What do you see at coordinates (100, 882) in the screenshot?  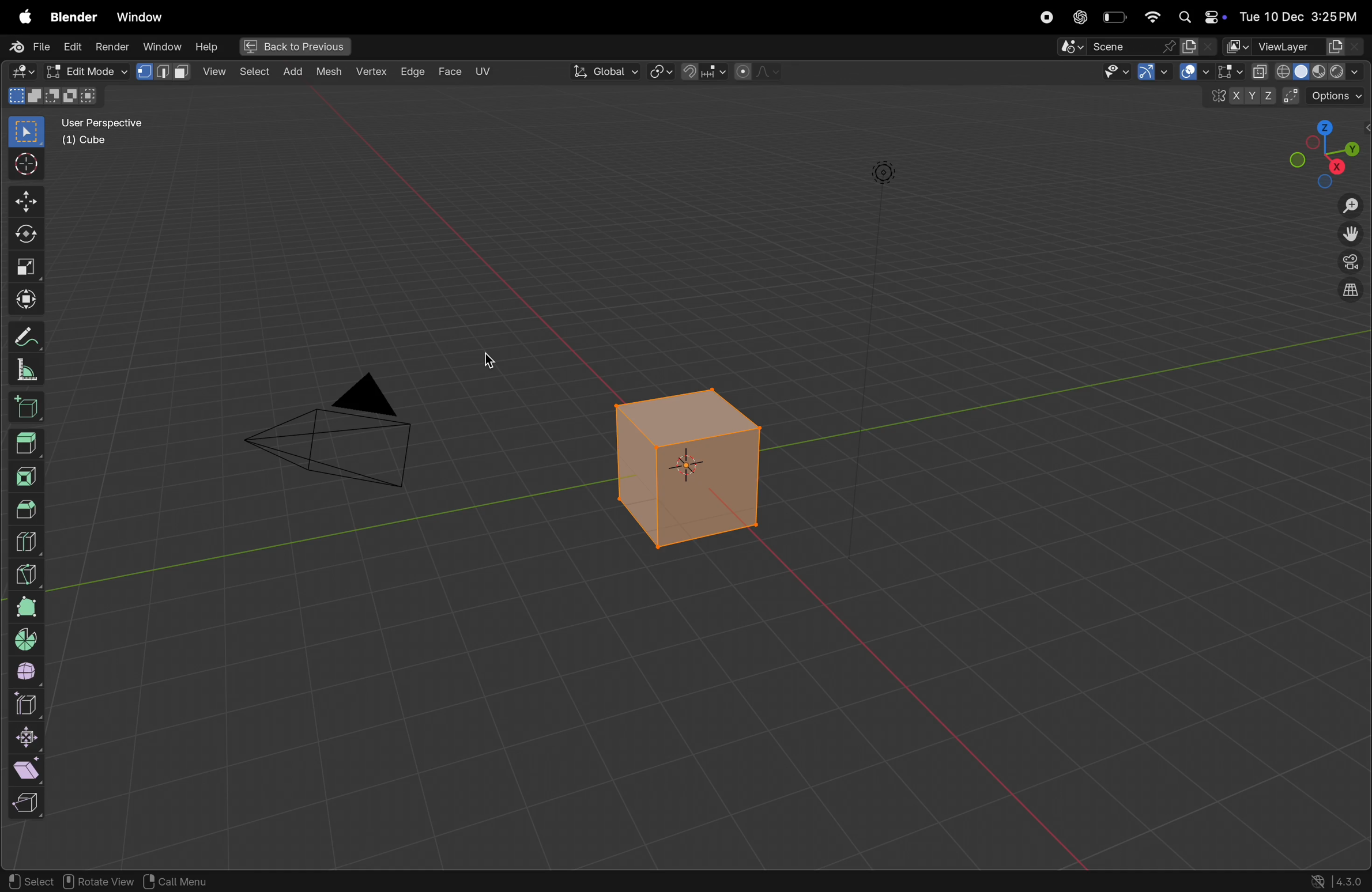 I see `Rotate view` at bounding box center [100, 882].